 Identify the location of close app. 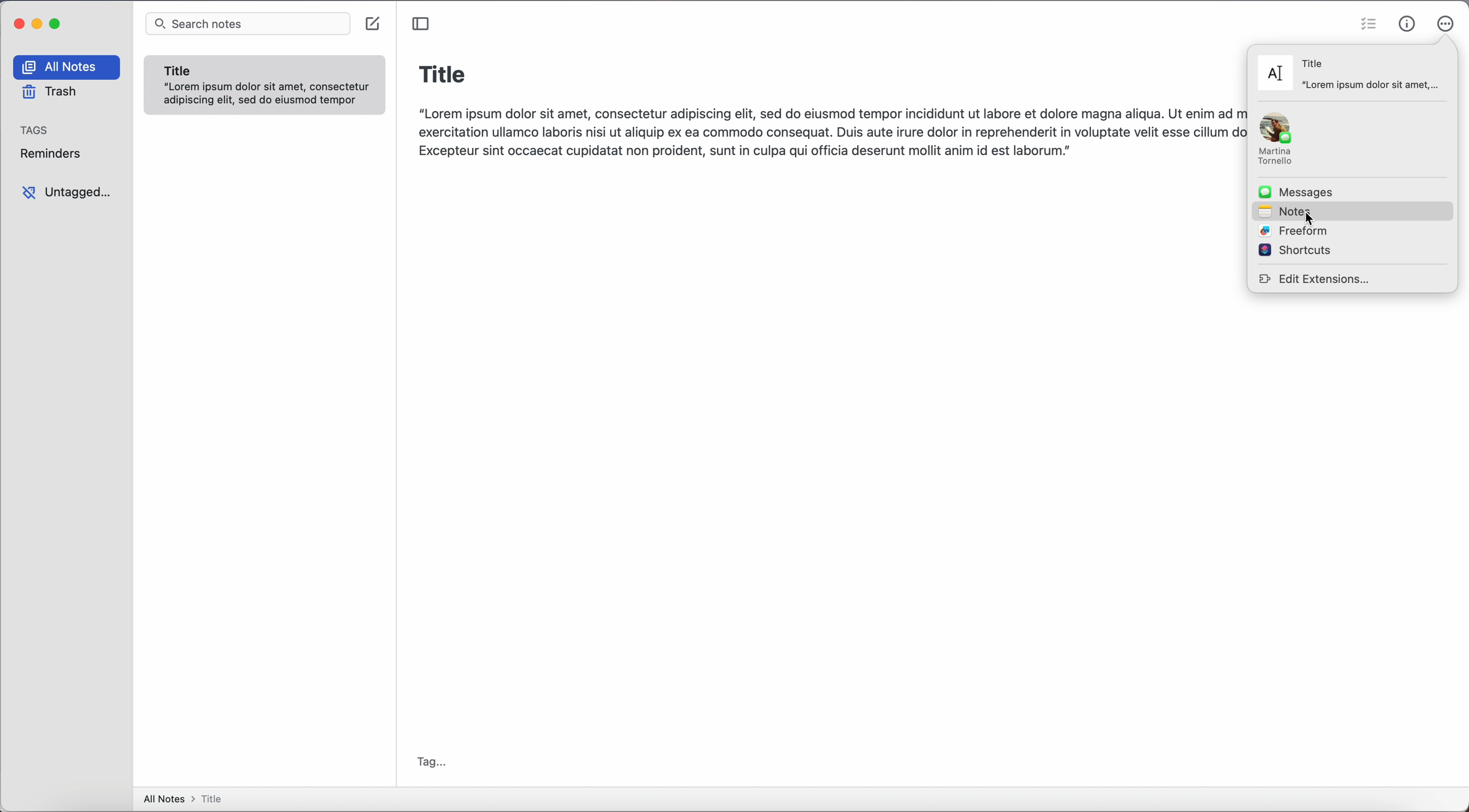
(17, 22).